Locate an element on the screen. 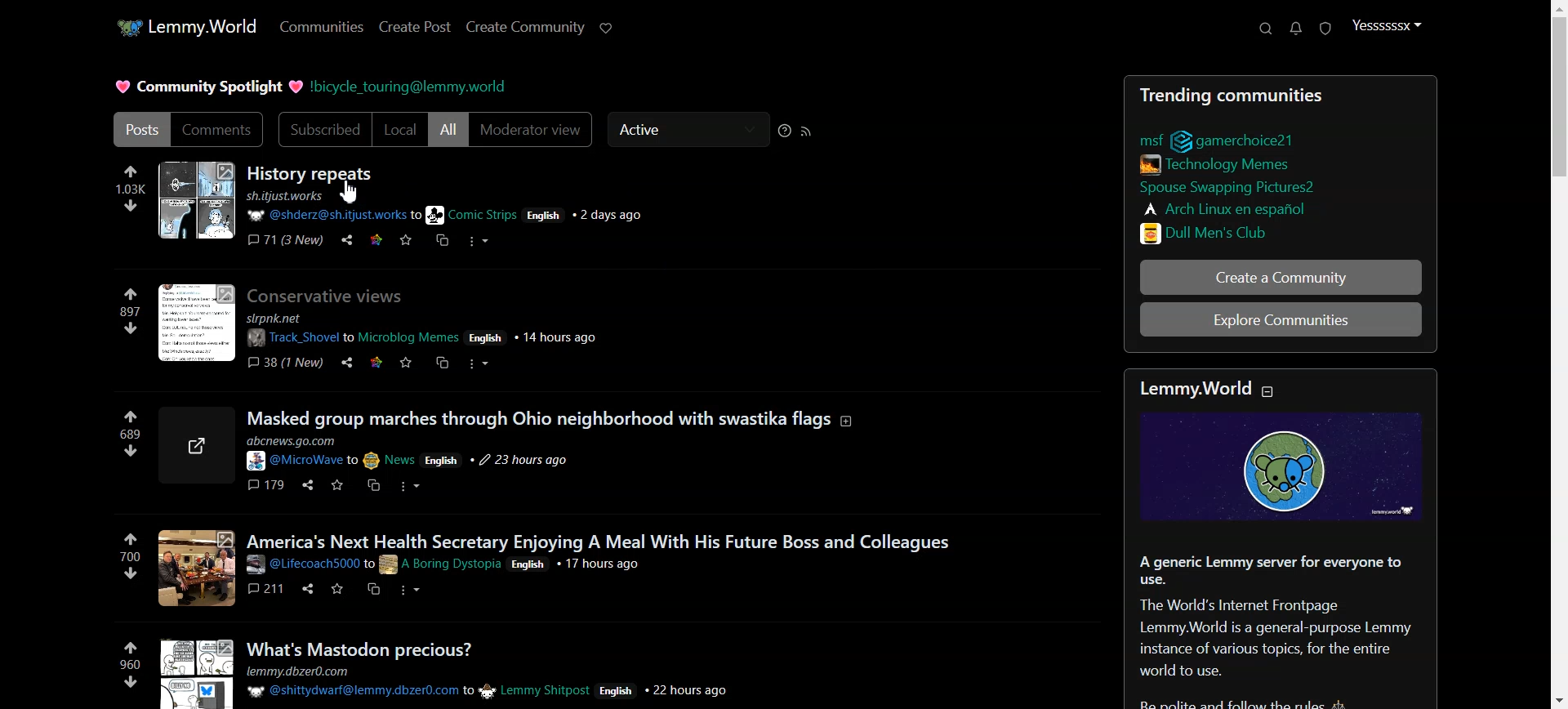  sh.itjust.works is located at coordinates (287, 195).